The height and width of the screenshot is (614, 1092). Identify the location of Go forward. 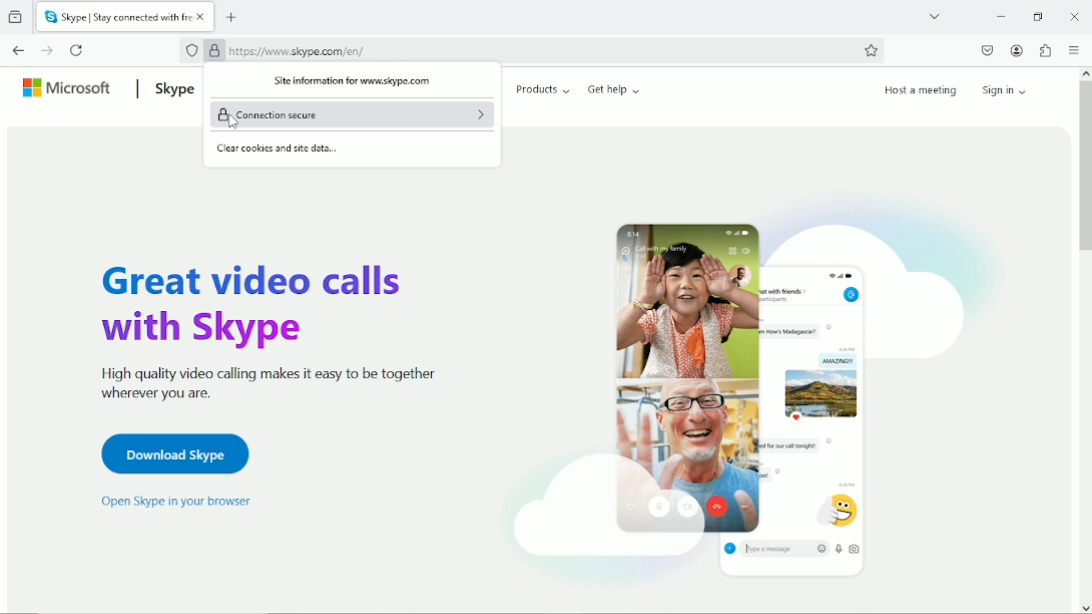
(46, 50).